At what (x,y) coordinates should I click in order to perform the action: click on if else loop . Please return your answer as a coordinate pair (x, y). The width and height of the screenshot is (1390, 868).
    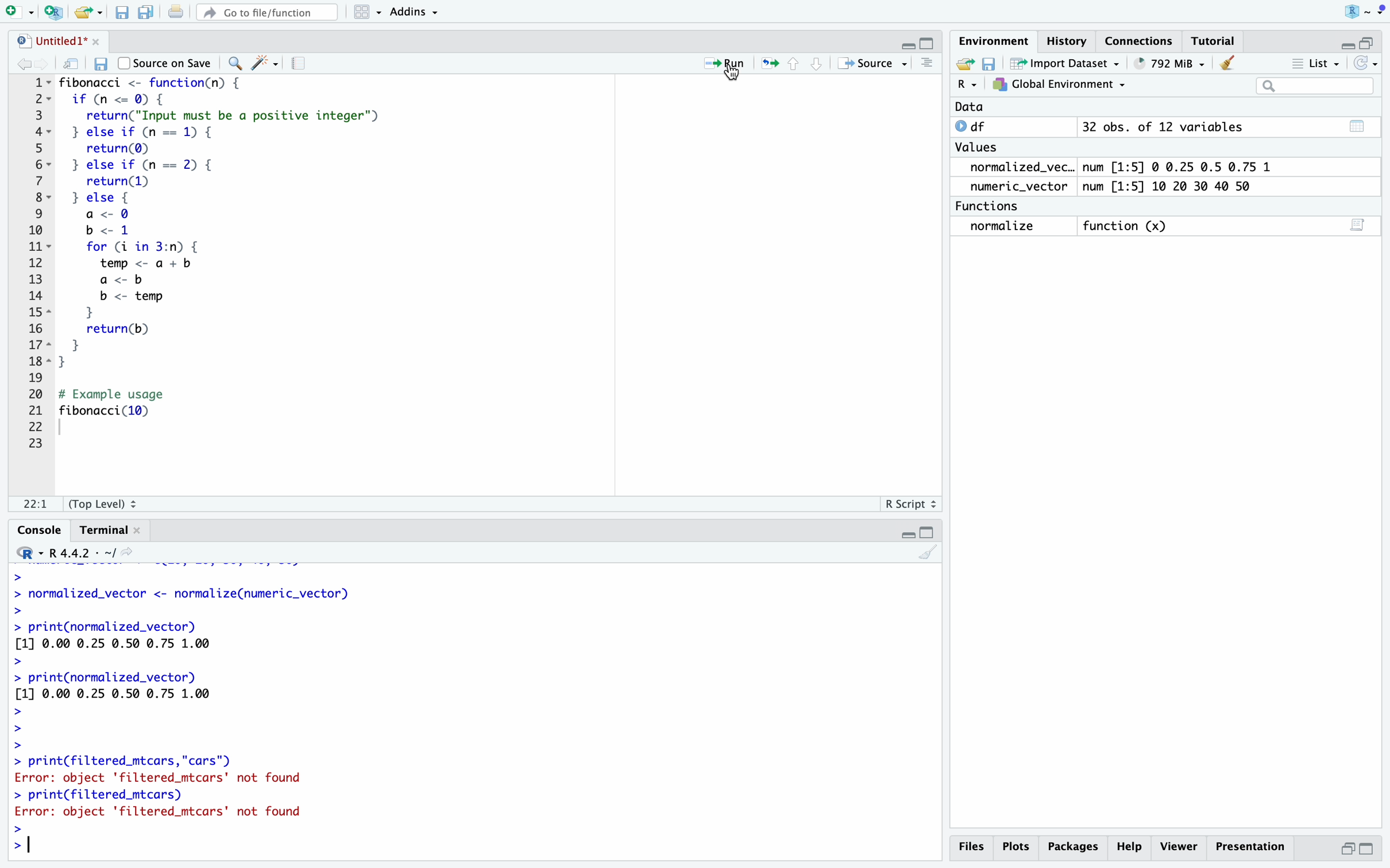
    Looking at the image, I should click on (237, 165).